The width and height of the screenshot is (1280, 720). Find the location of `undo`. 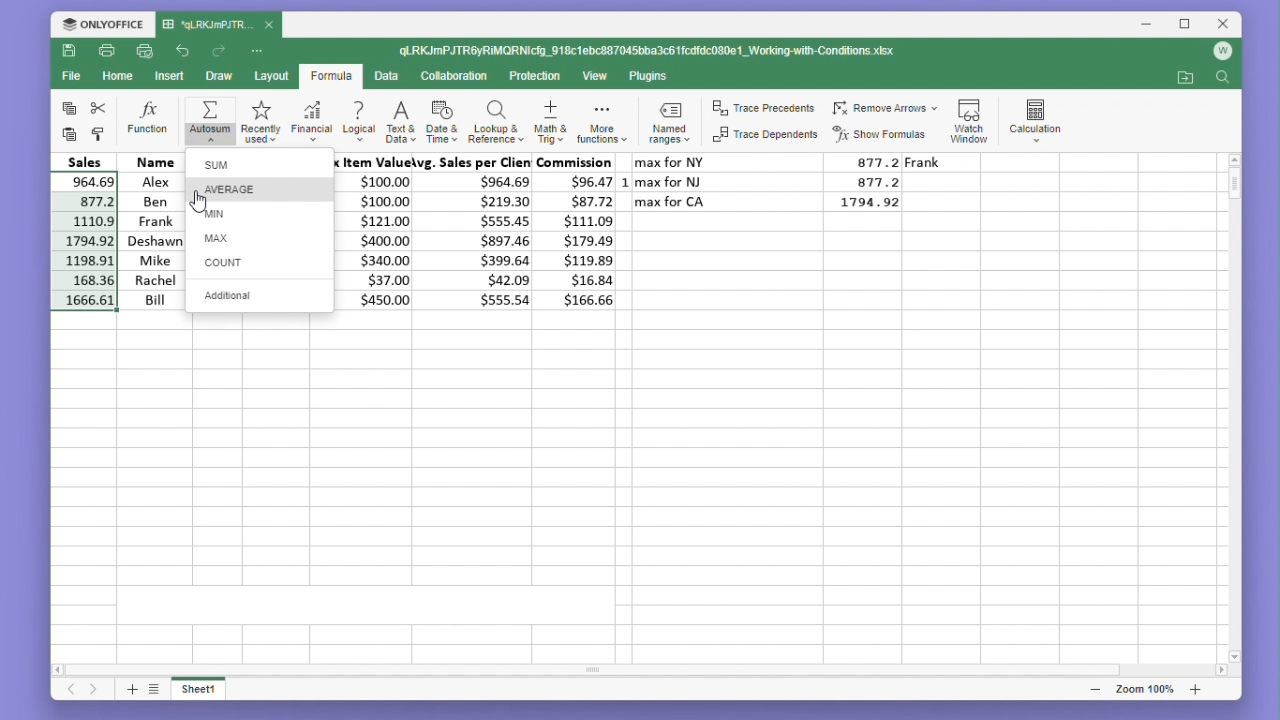

undo is located at coordinates (184, 52).